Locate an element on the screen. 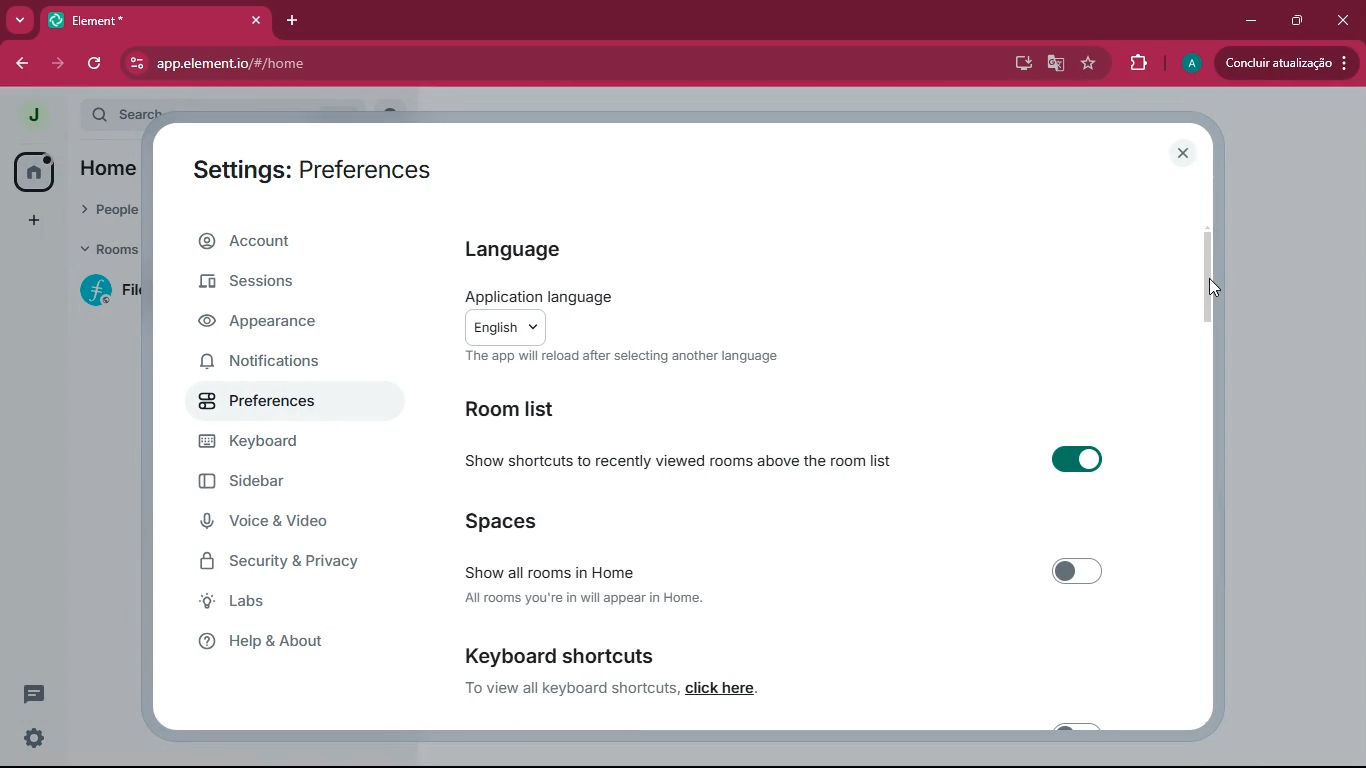 This screenshot has width=1366, height=768. desktop is located at coordinates (1022, 65).